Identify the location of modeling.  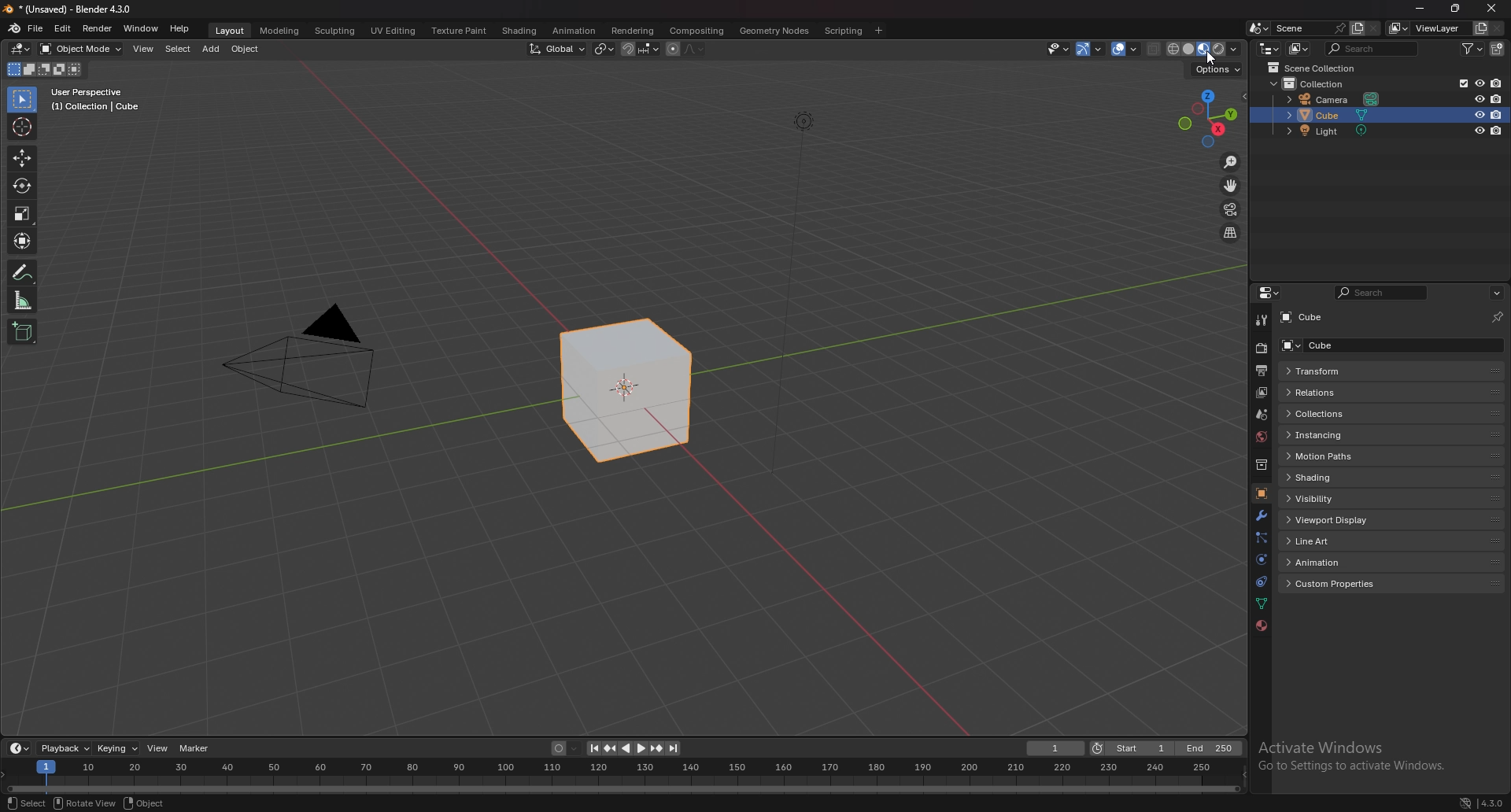
(280, 31).